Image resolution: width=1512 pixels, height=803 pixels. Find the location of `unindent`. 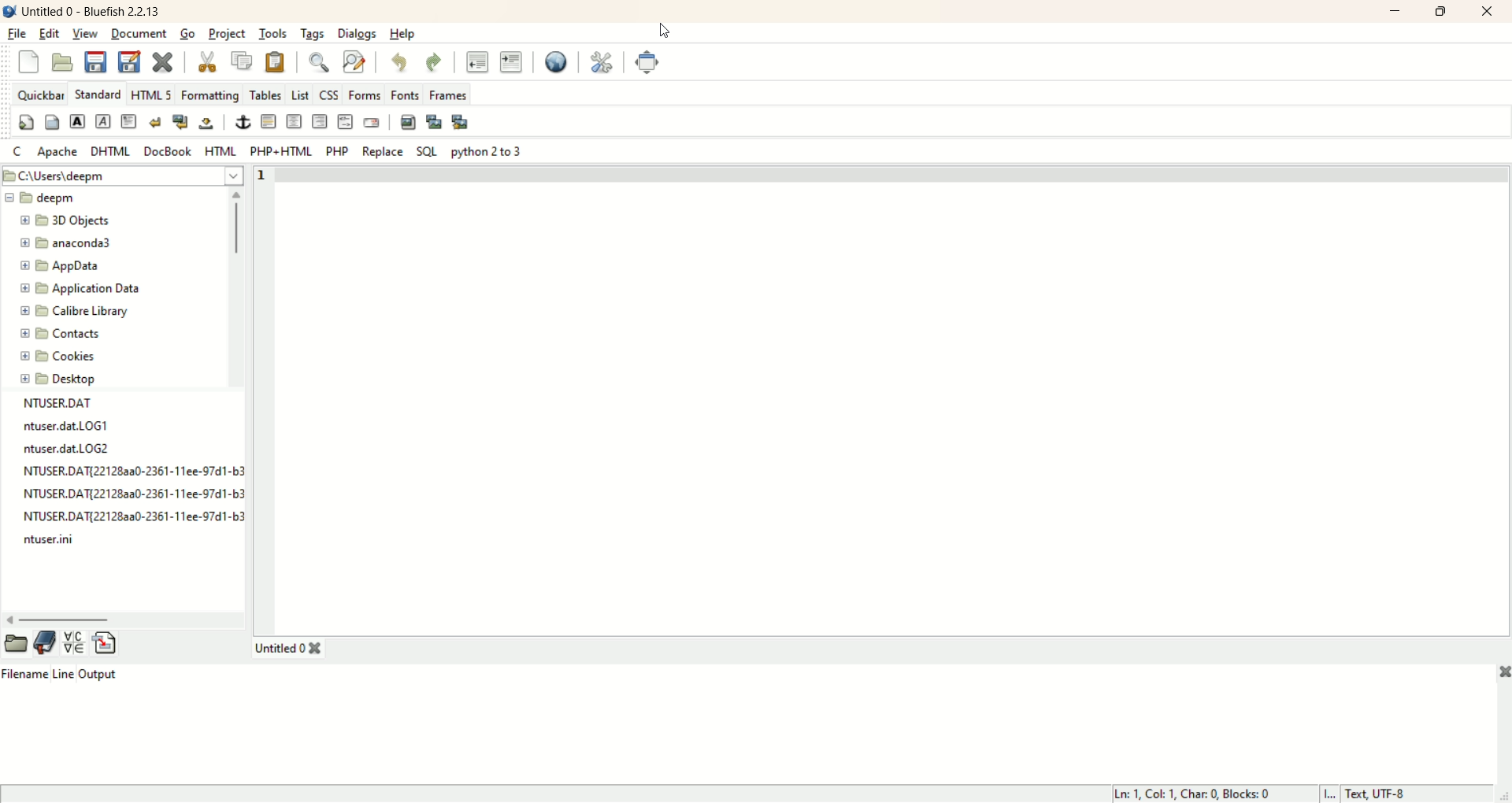

unindent is located at coordinates (480, 63).